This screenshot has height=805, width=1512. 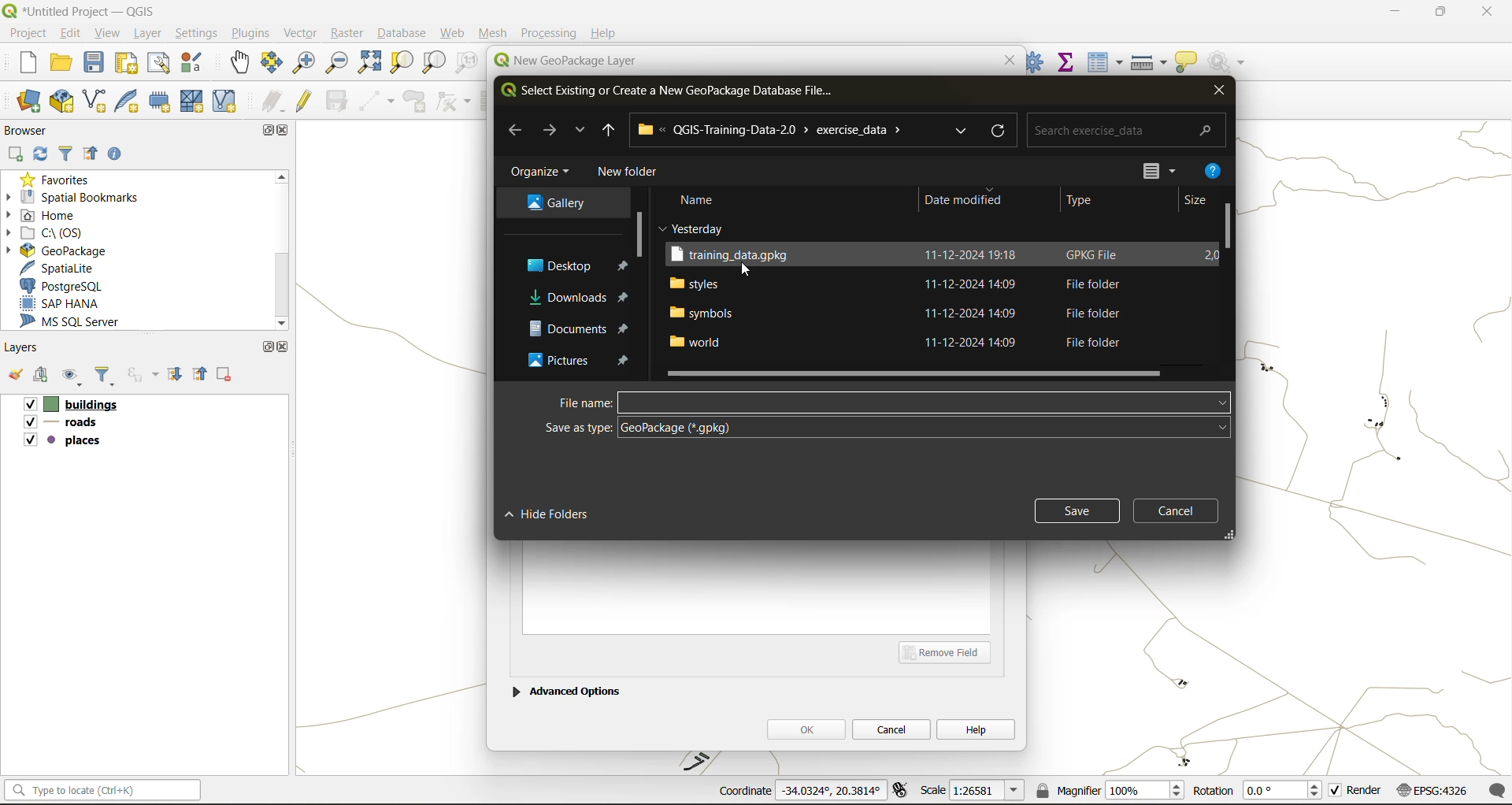 What do you see at coordinates (1036, 61) in the screenshot?
I see `control panel` at bounding box center [1036, 61].